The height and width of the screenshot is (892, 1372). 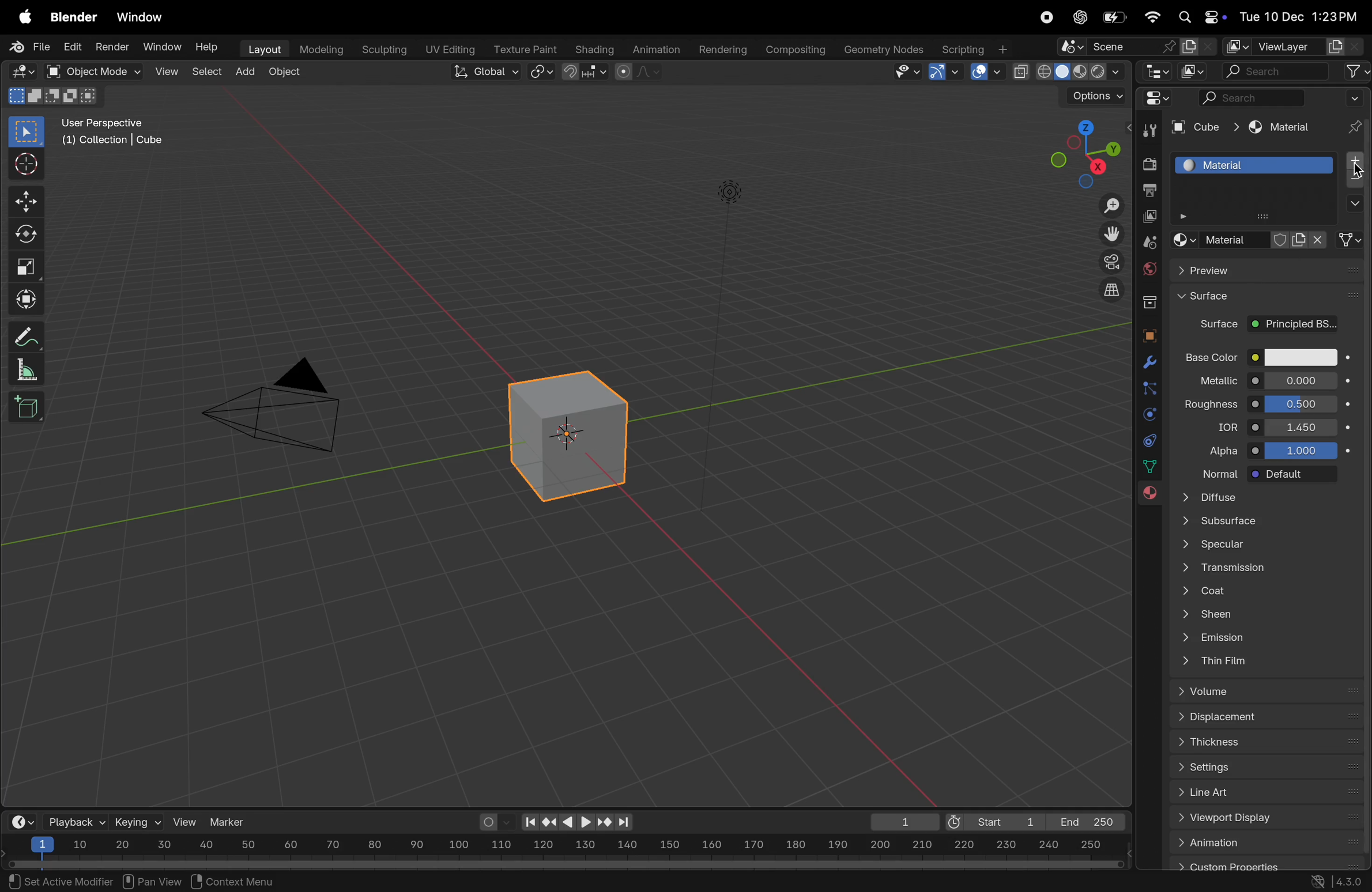 What do you see at coordinates (163, 47) in the screenshot?
I see `Window` at bounding box center [163, 47].